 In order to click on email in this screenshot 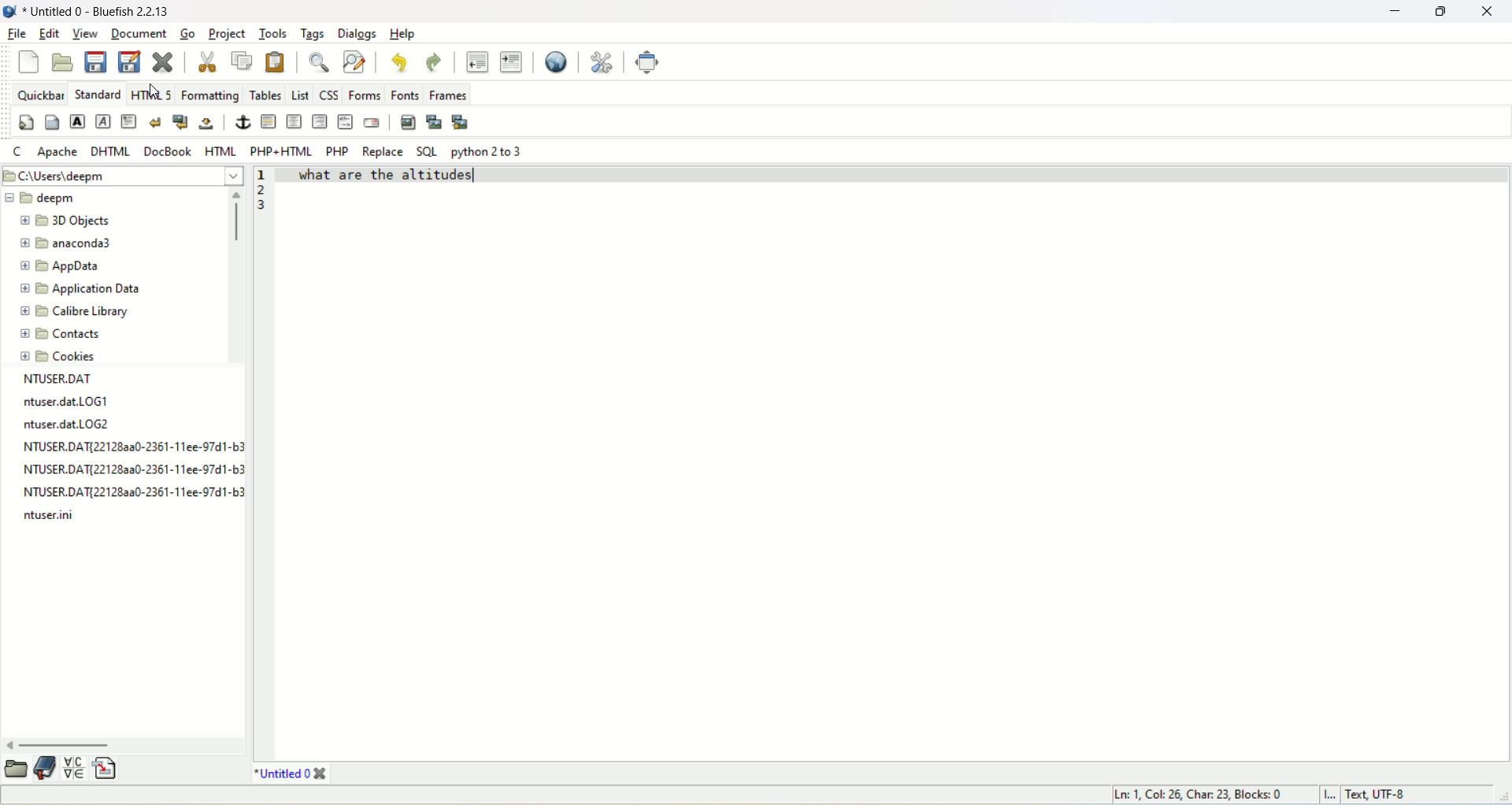, I will do `click(372, 125)`.